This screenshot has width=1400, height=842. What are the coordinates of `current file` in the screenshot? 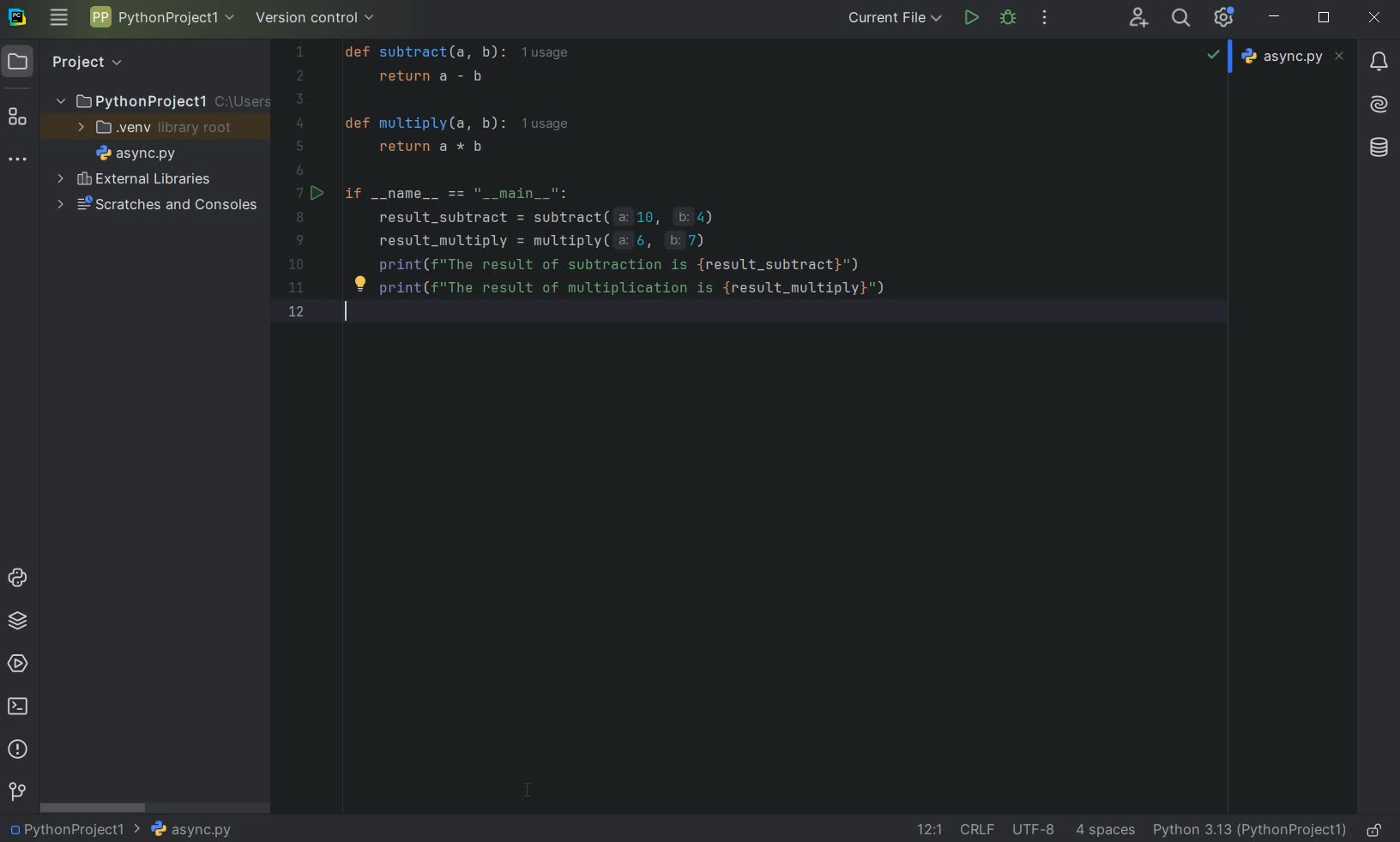 It's located at (896, 17).